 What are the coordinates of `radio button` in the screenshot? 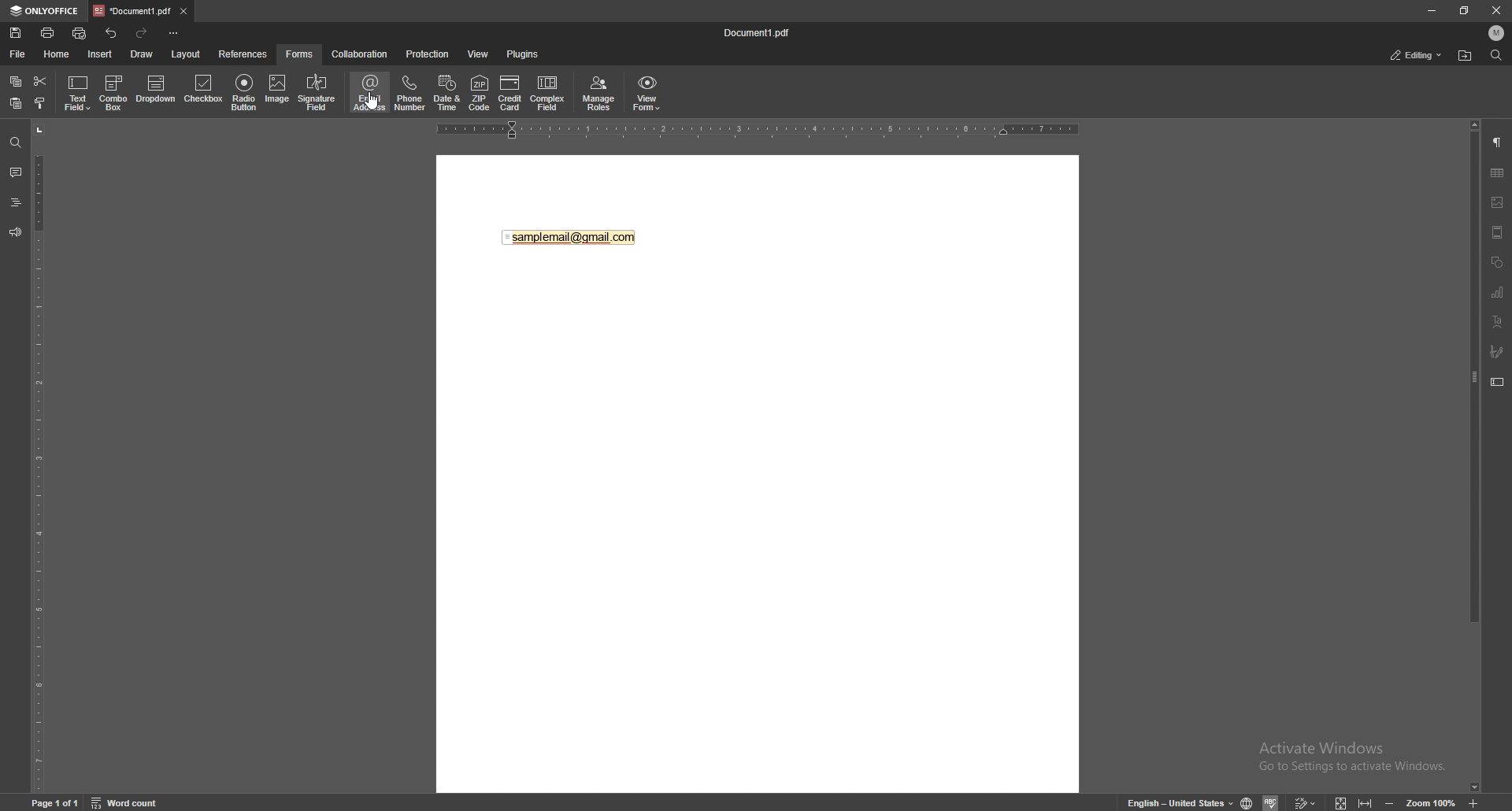 It's located at (245, 92).